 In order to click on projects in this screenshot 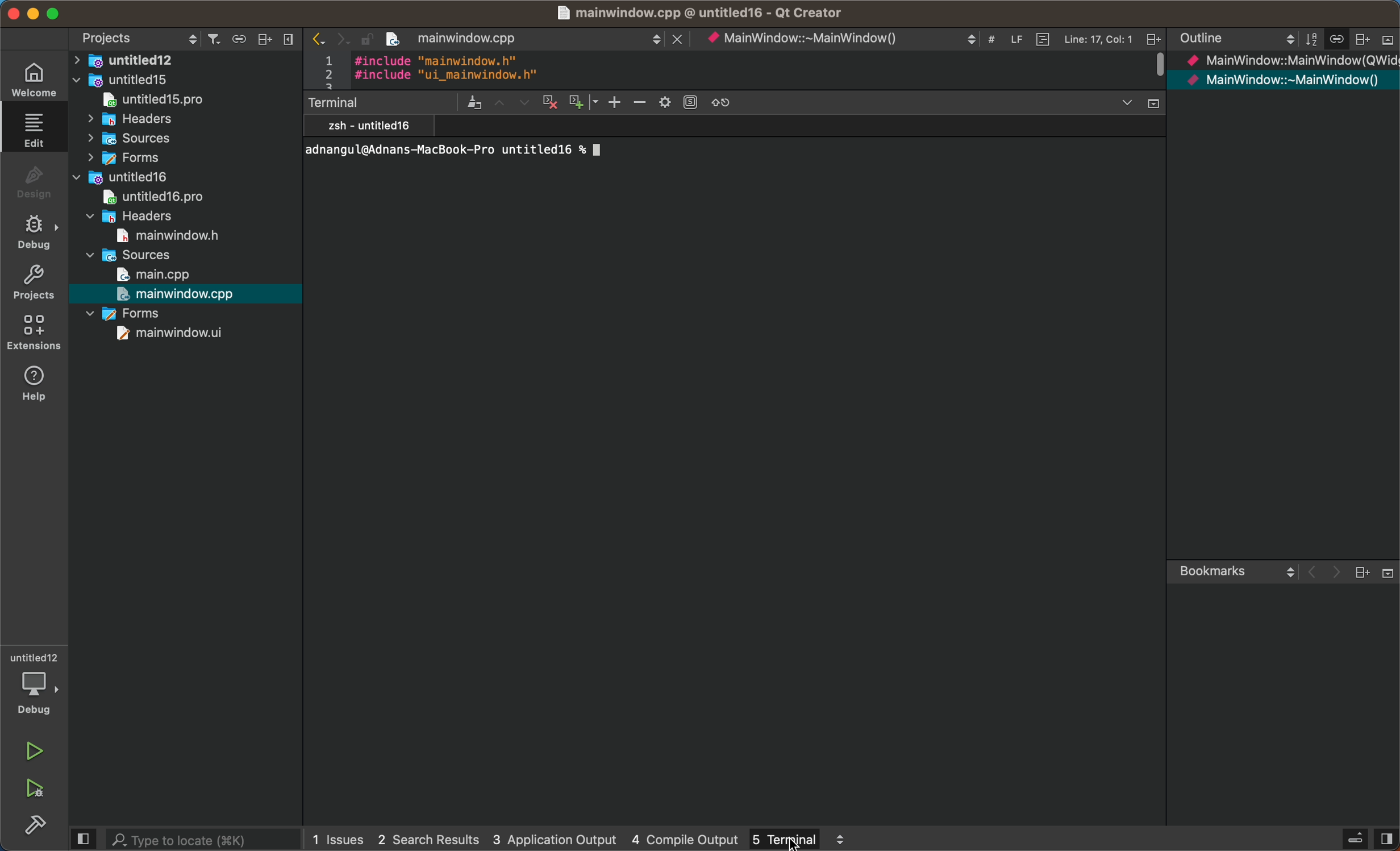, I will do `click(35, 286)`.